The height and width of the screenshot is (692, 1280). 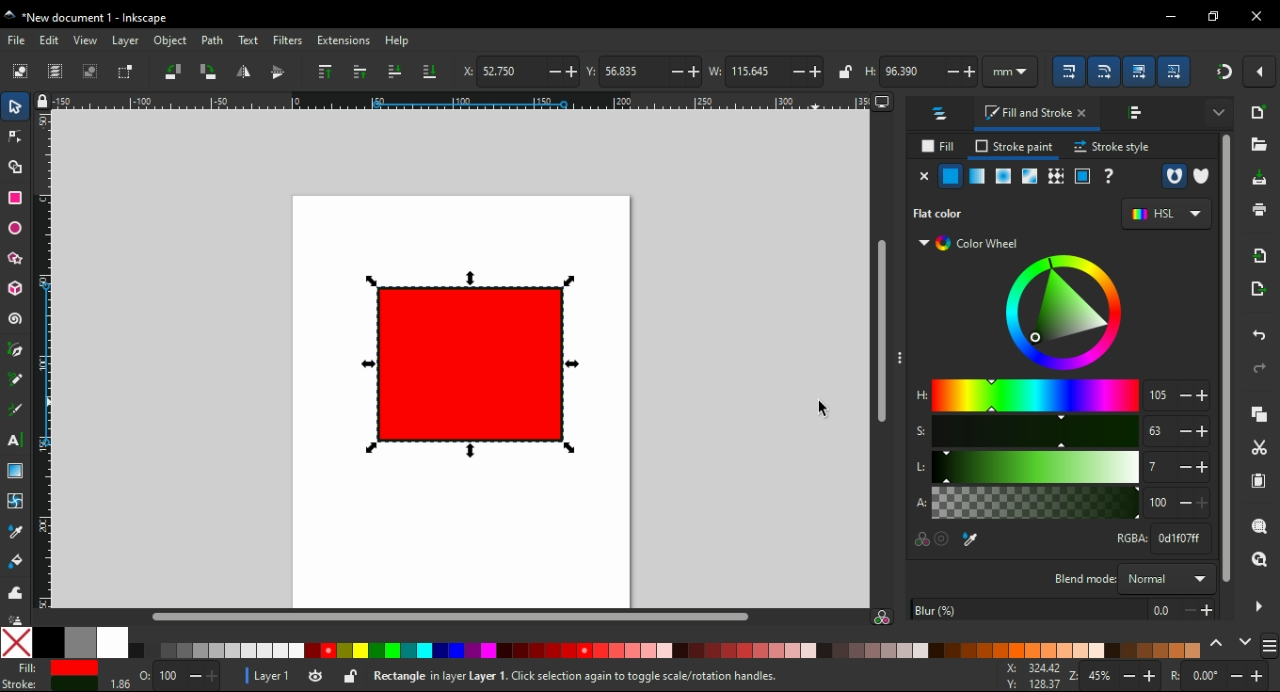 I want to click on color wheel, so click(x=1060, y=312).